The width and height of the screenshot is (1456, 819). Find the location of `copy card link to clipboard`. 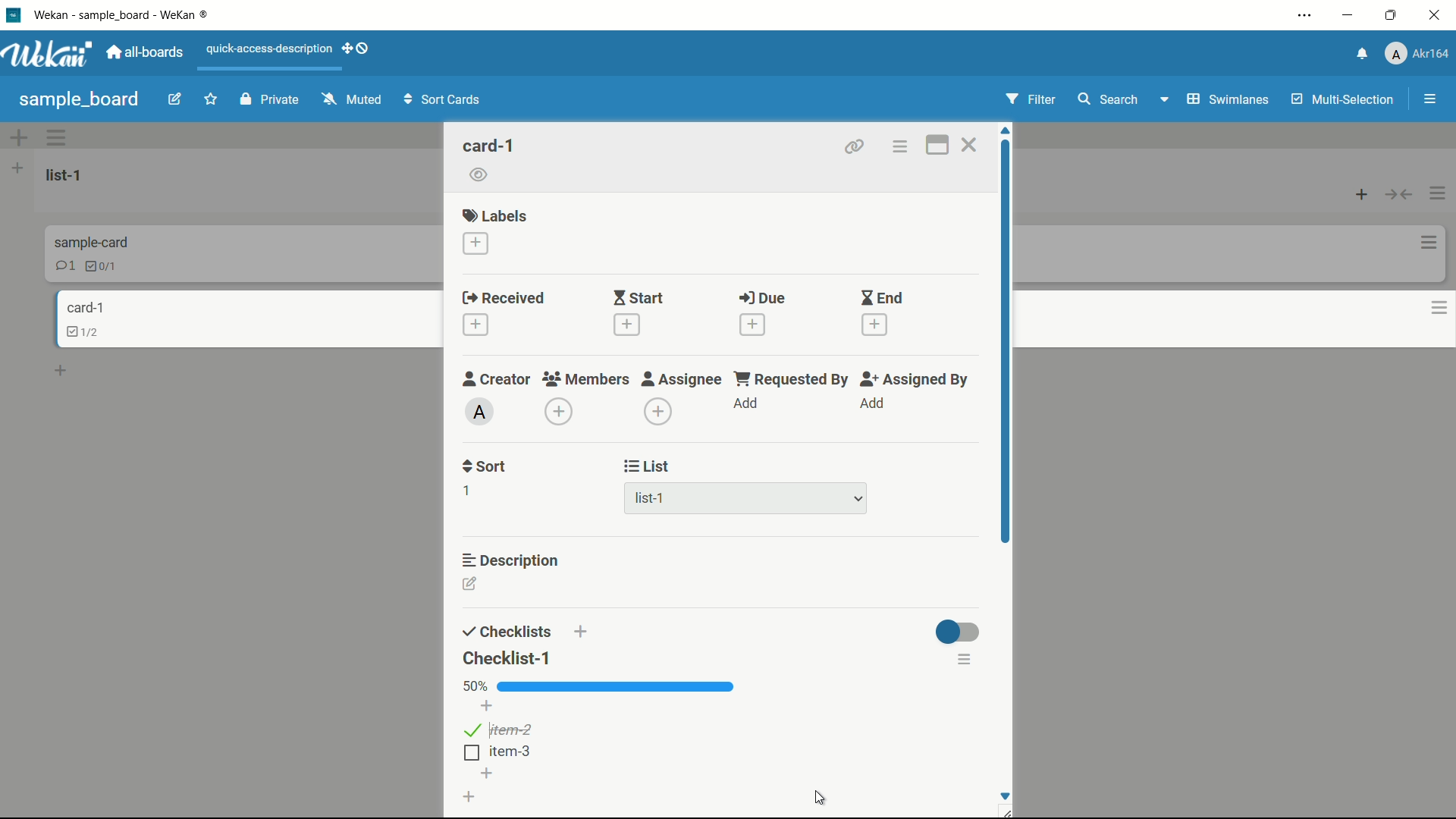

copy card link to clipboard is located at coordinates (856, 147).